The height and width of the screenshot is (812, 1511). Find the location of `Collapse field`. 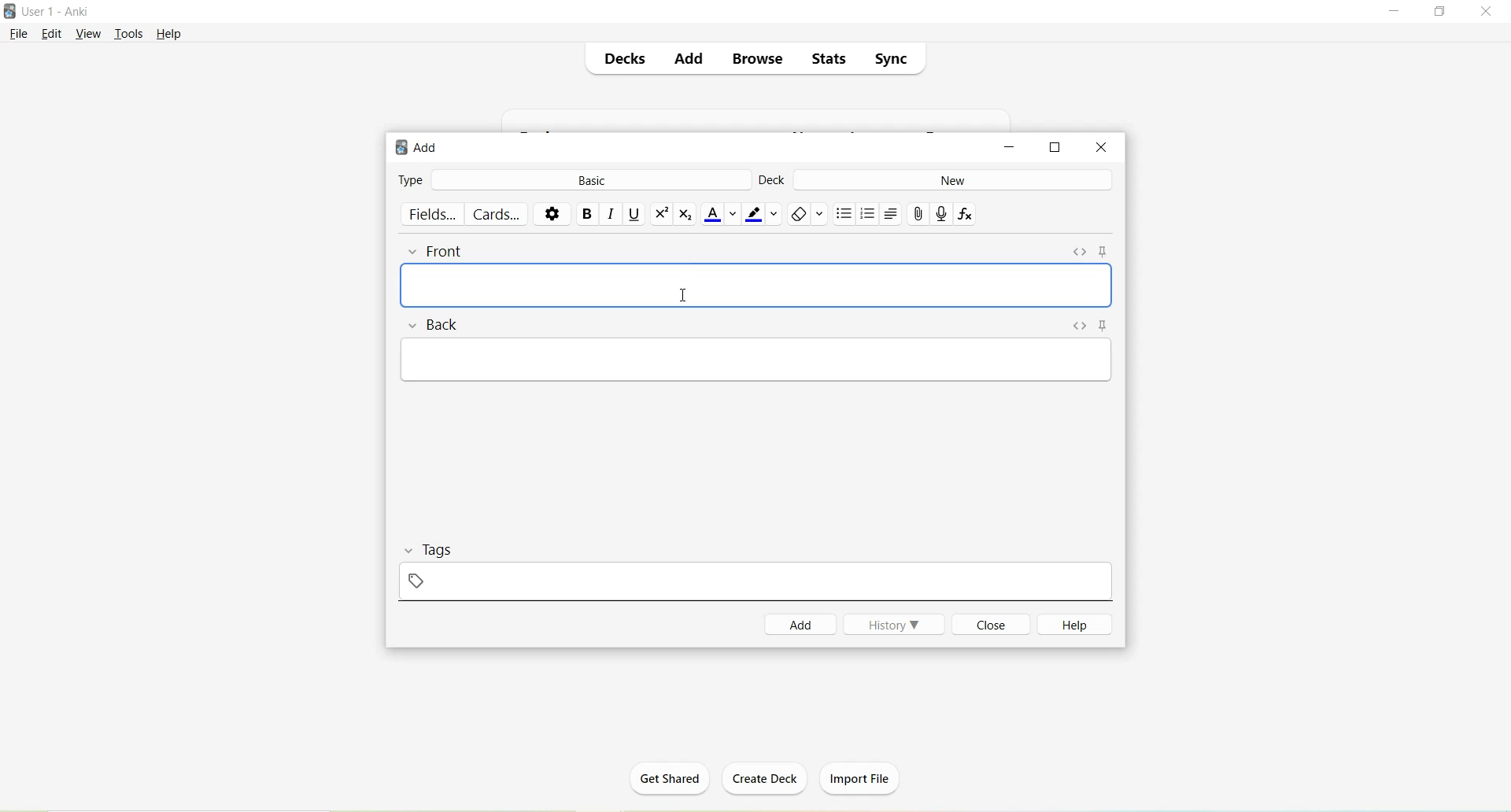

Collapse field is located at coordinates (416, 253).